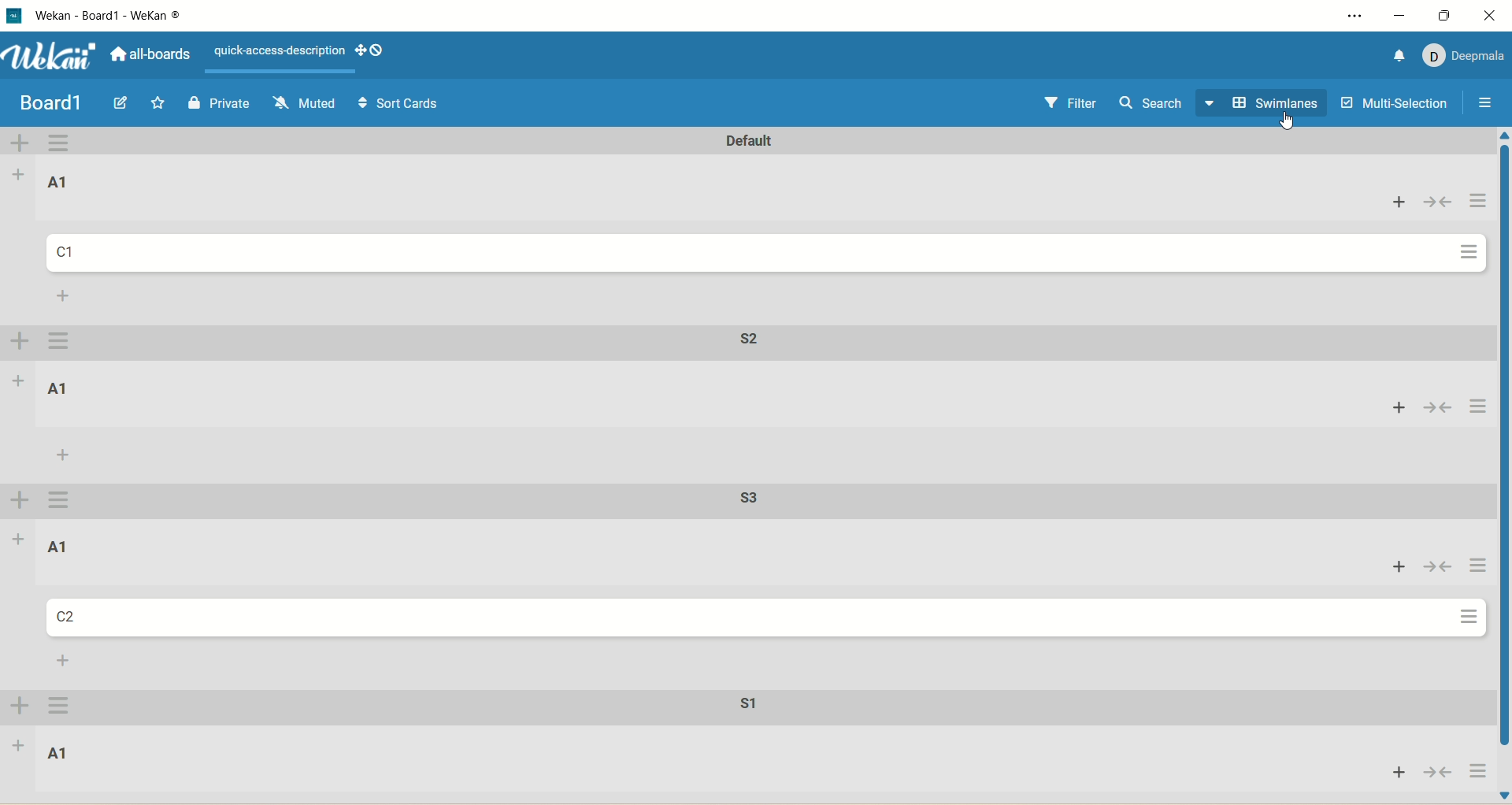 Image resolution: width=1512 pixels, height=805 pixels. I want to click on vertical scroll bar, so click(1503, 466).